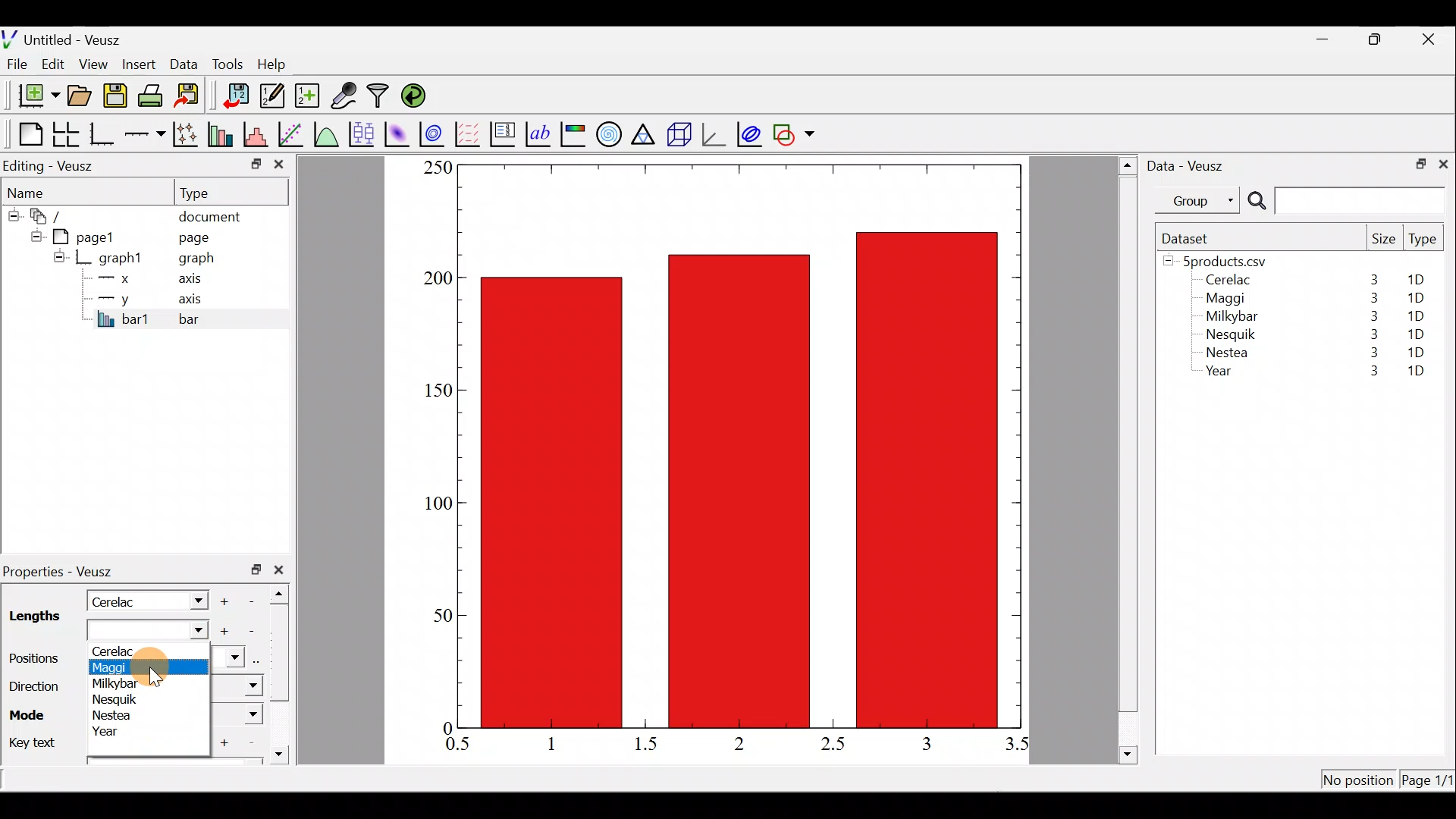  I want to click on Untitled - Veusz, so click(67, 37).